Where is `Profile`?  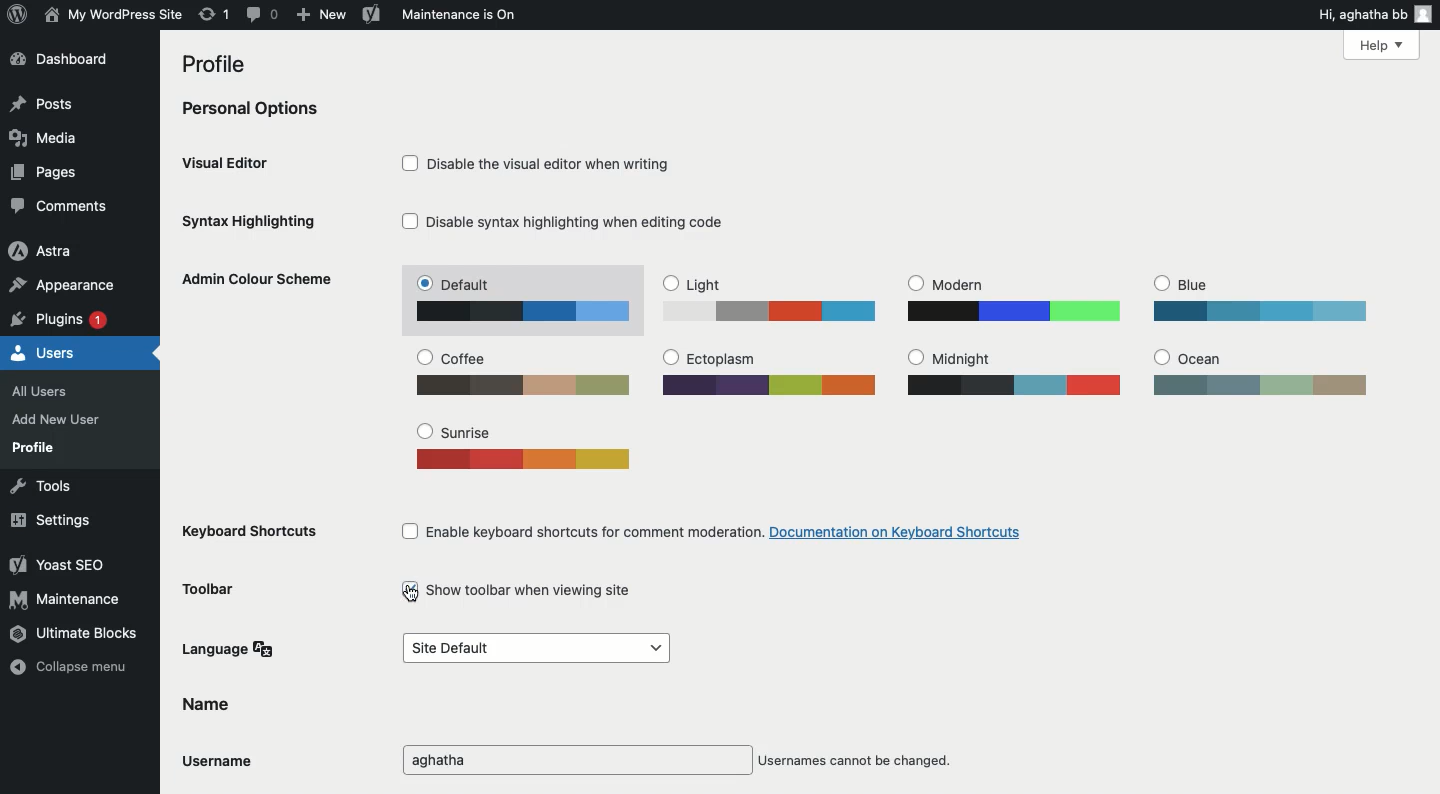
Profile is located at coordinates (40, 449).